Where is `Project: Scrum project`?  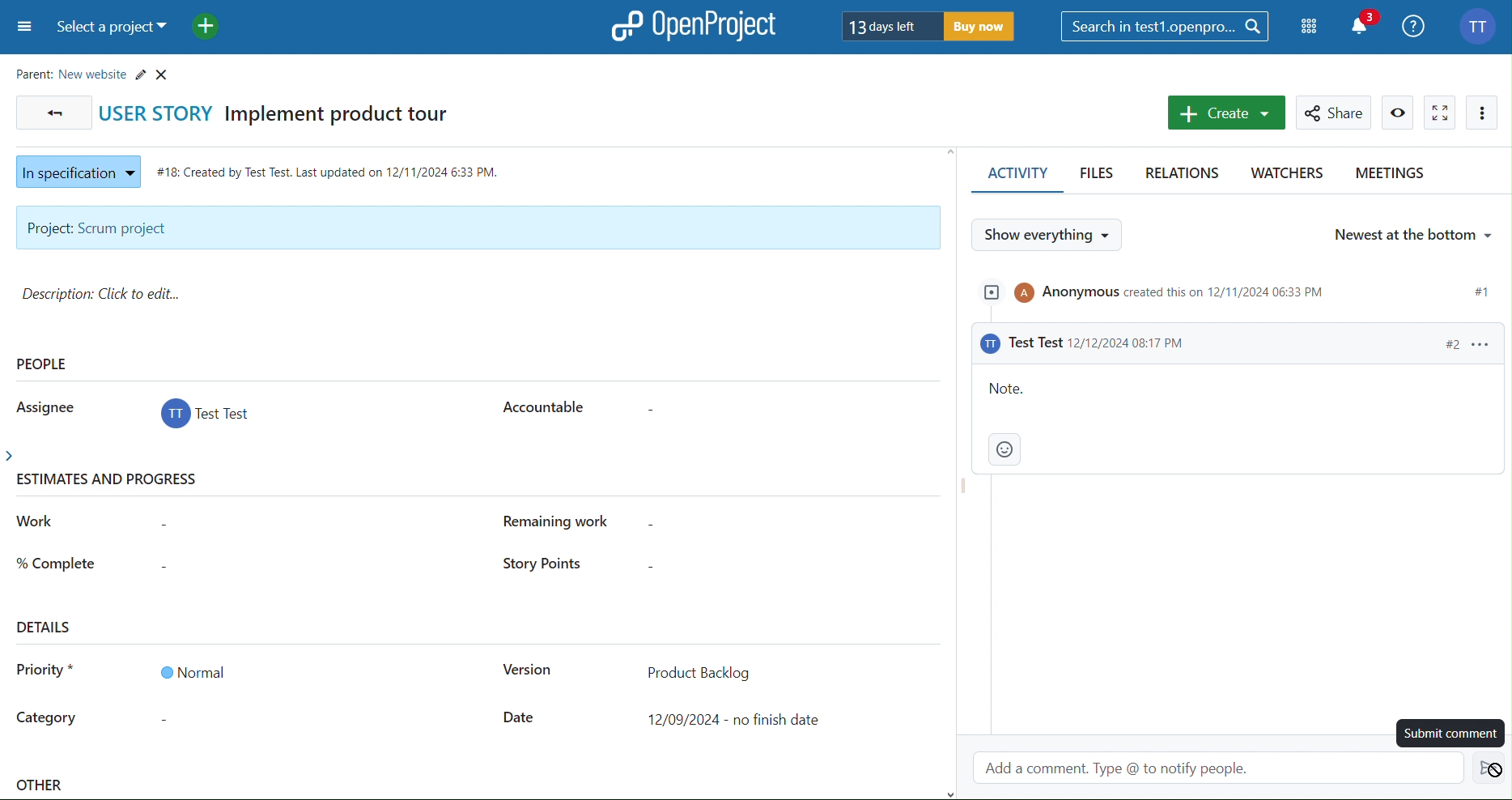 Project: Scrum project is located at coordinates (476, 228).